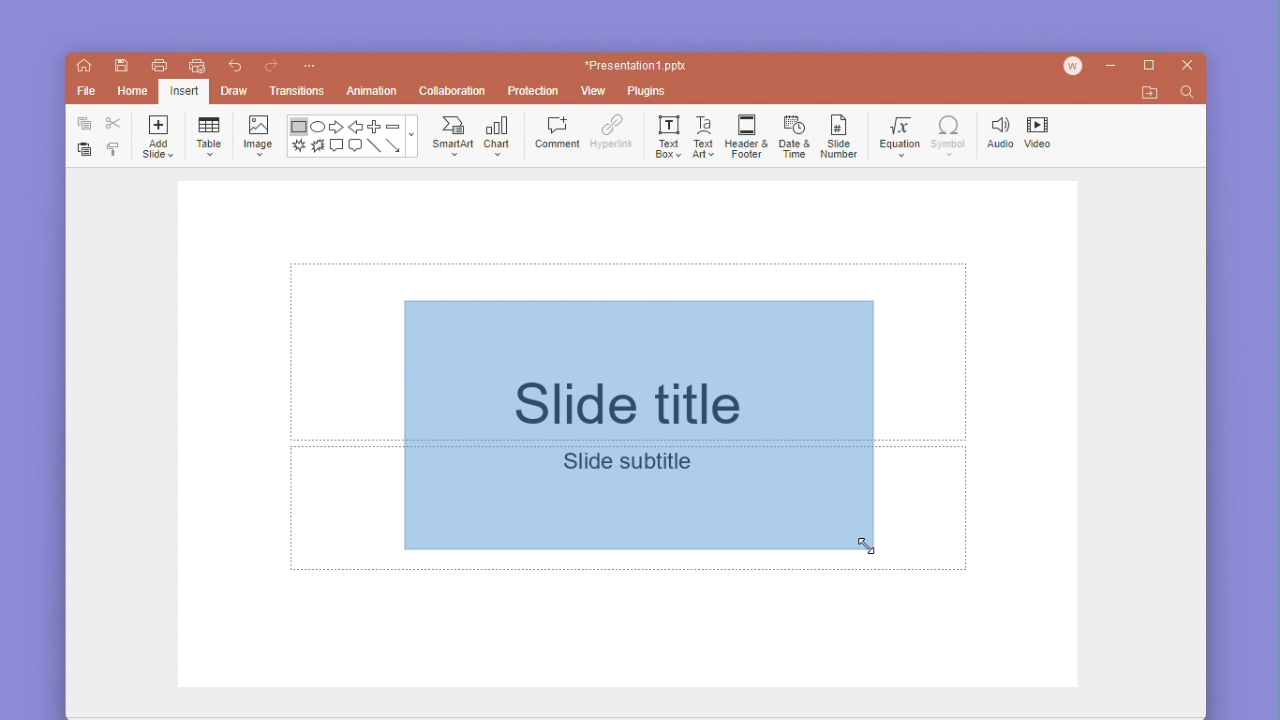 The image size is (1280, 720). I want to click on chat, so click(500, 134).